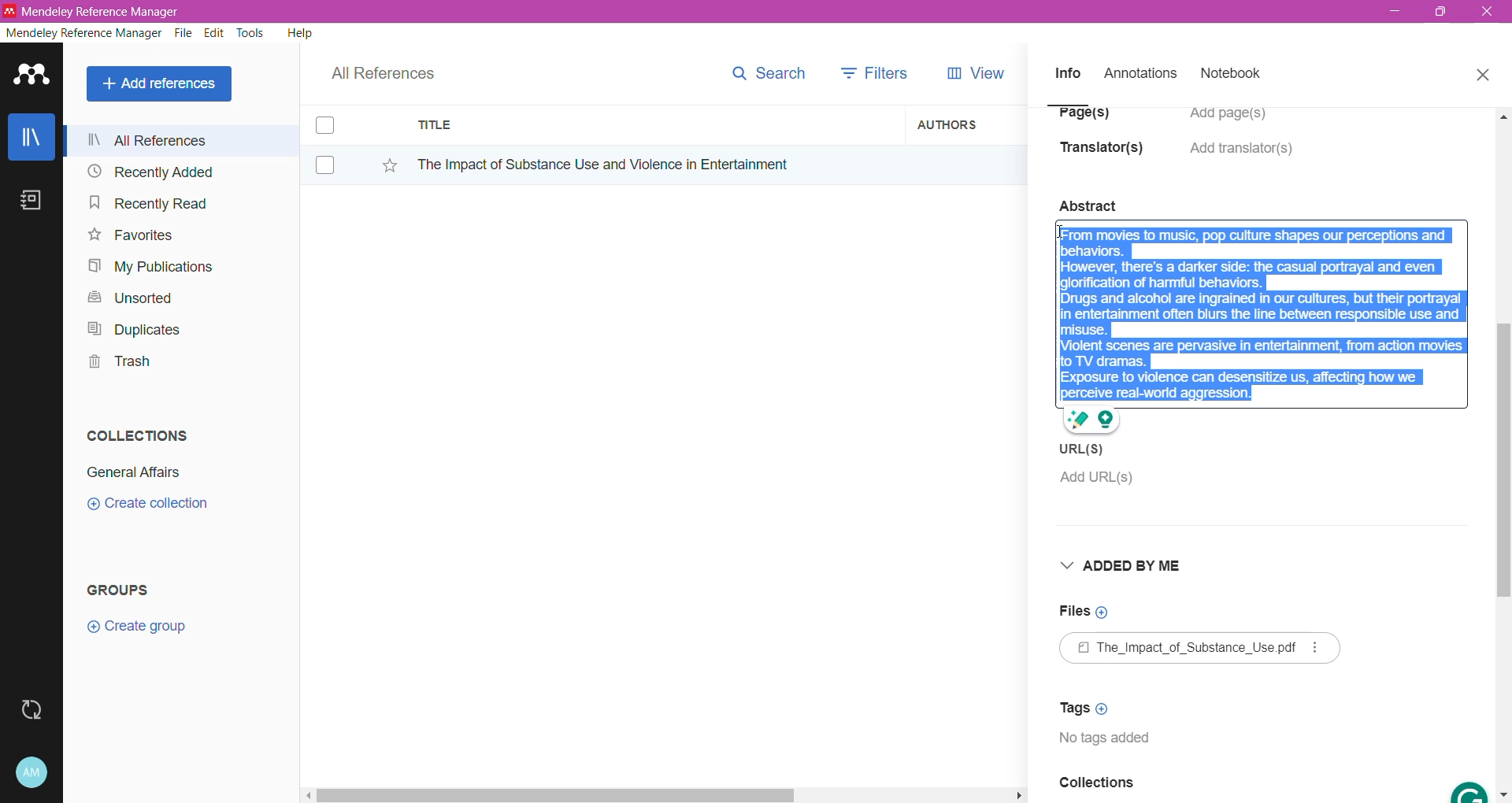 This screenshot has width=1512, height=803. Describe the element at coordinates (298, 32) in the screenshot. I see `Help` at that location.